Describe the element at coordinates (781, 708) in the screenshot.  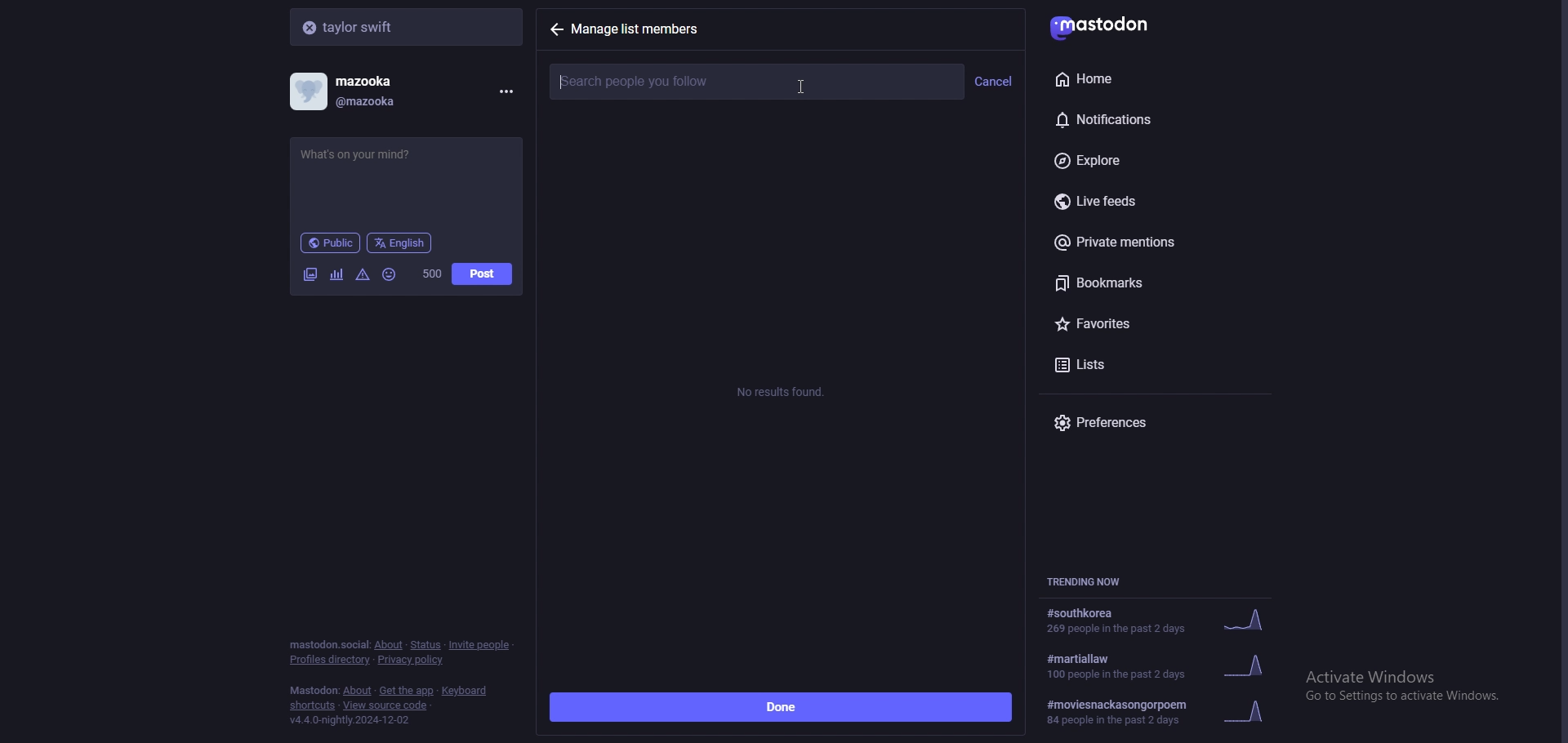
I see `done` at that location.